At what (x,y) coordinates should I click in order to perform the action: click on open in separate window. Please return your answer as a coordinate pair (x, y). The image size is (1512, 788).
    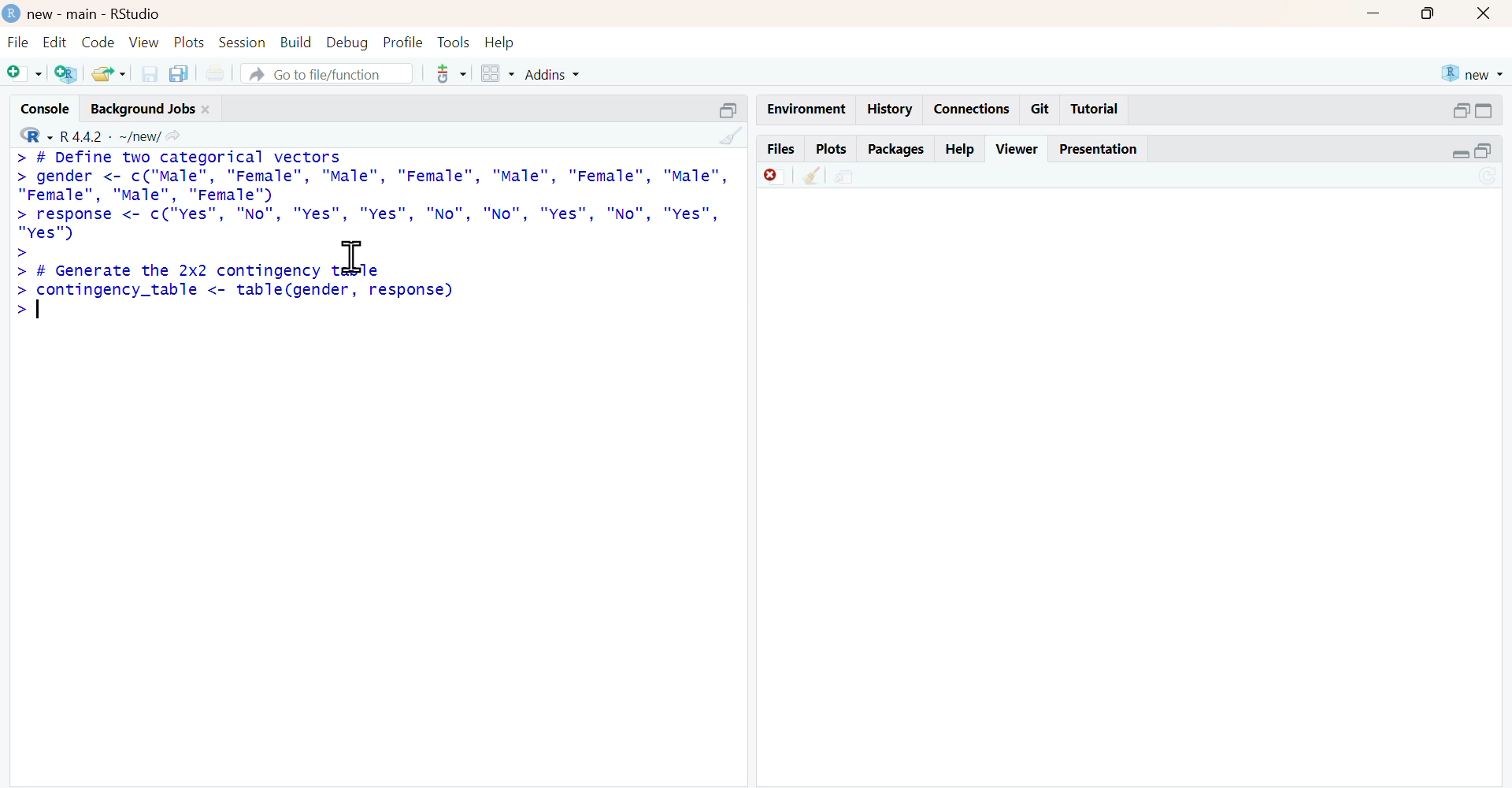
    Looking at the image, I should click on (728, 111).